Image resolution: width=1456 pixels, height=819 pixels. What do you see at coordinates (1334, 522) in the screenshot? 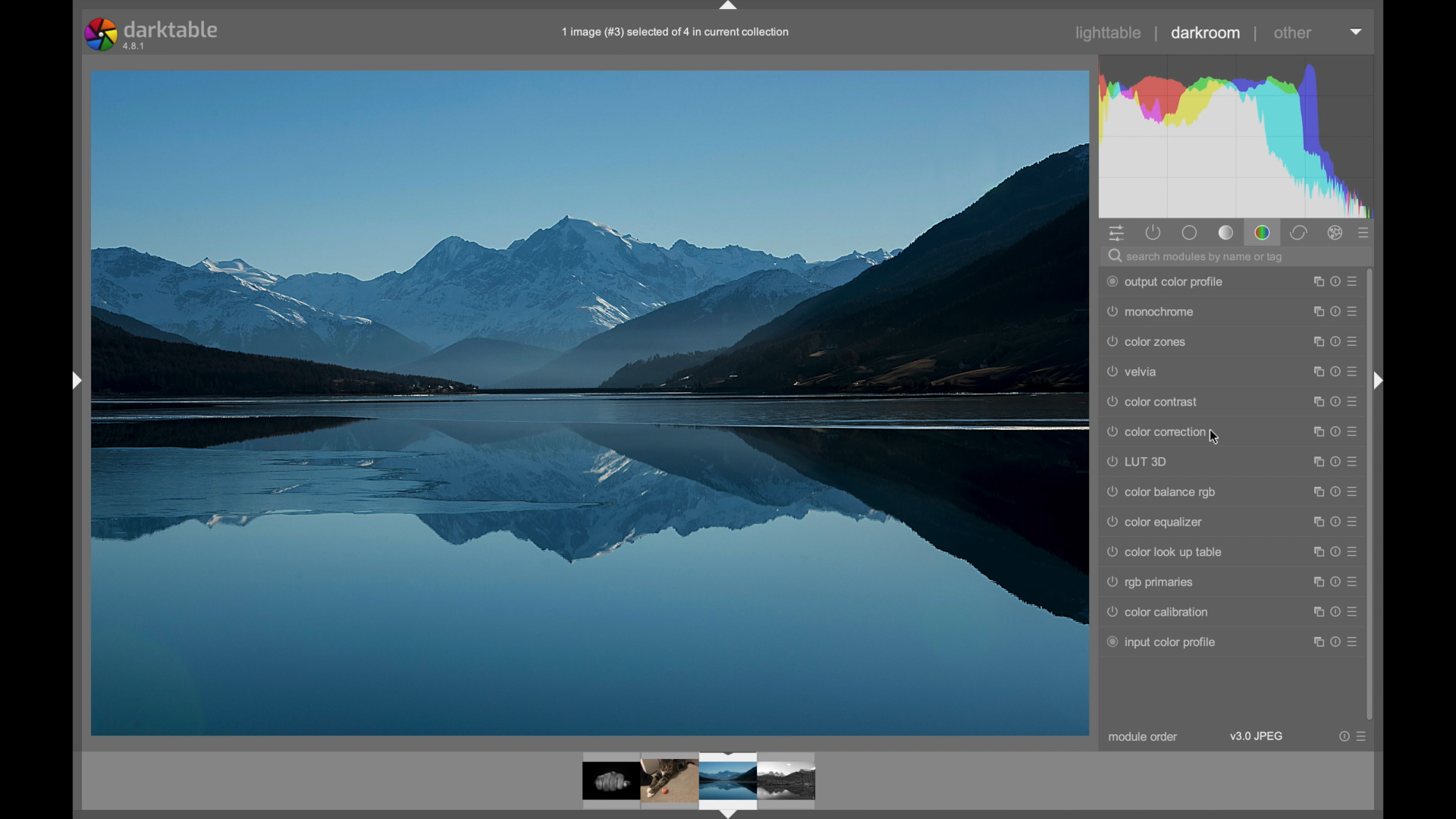
I see `more options` at bounding box center [1334, 522].